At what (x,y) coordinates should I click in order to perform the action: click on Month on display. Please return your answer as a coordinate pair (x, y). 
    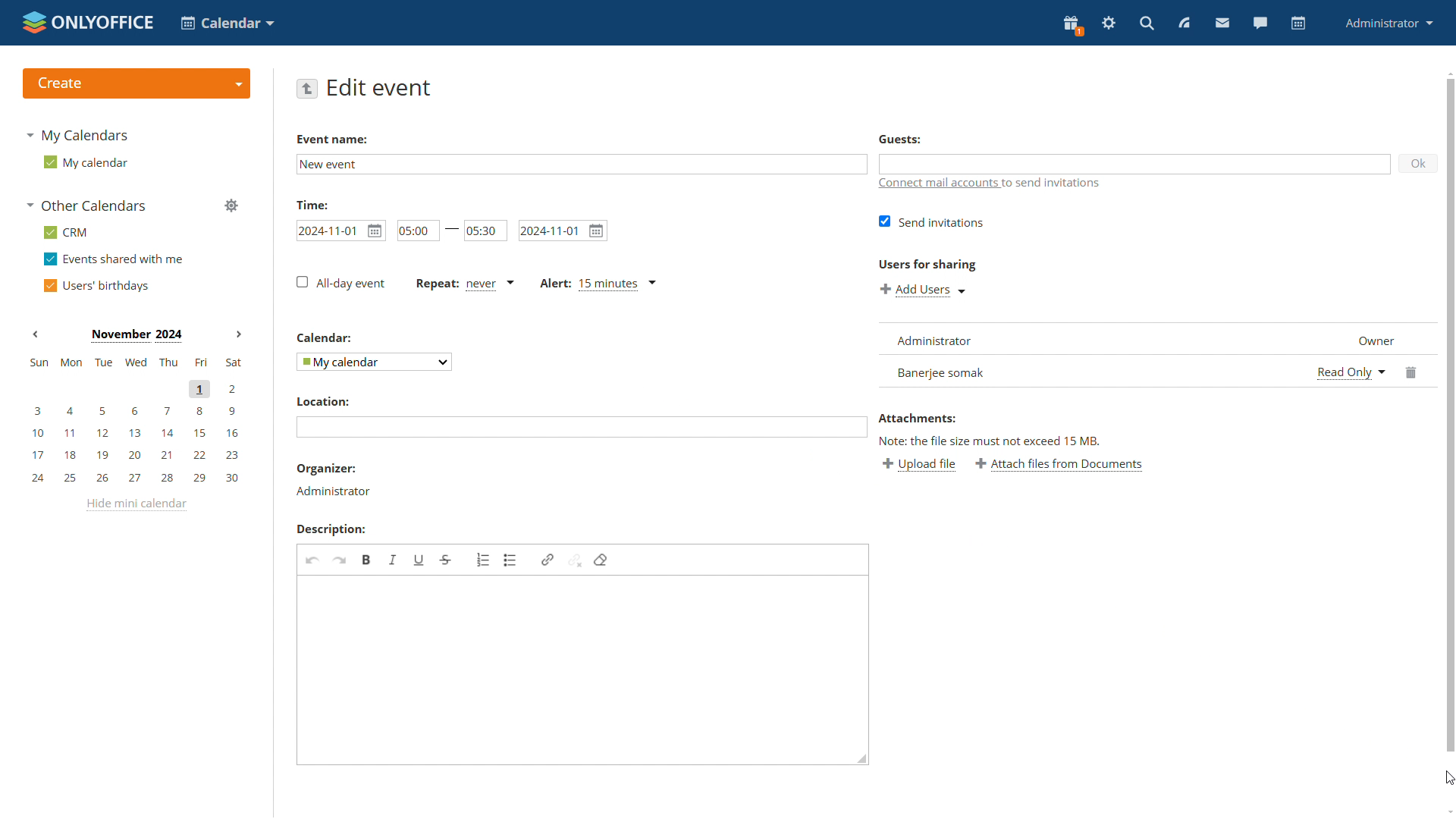
    Looking at the image, I should click on (135, 334).